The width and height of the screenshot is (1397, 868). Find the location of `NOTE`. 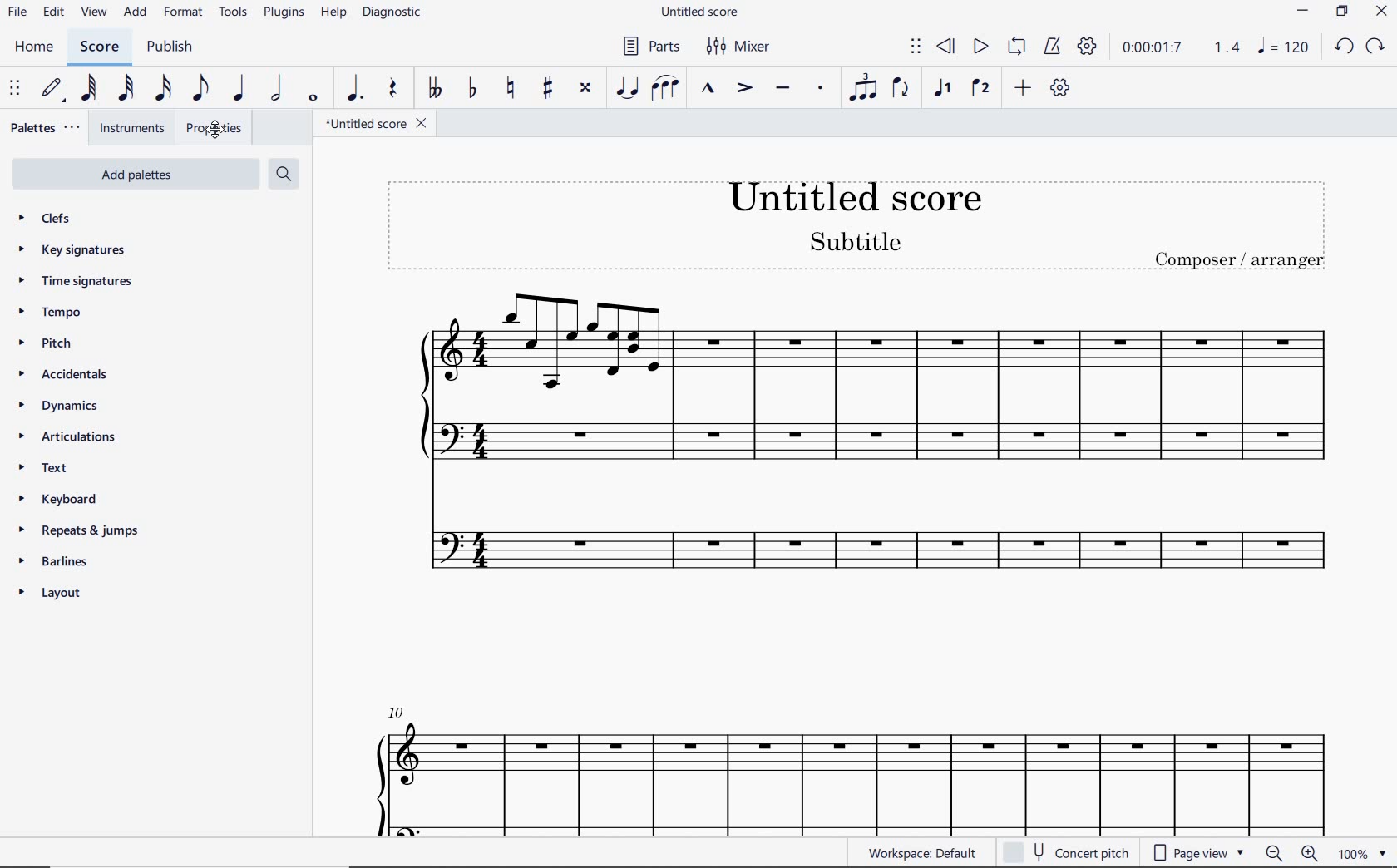

NOTE is located at coordinates (1282, 47).